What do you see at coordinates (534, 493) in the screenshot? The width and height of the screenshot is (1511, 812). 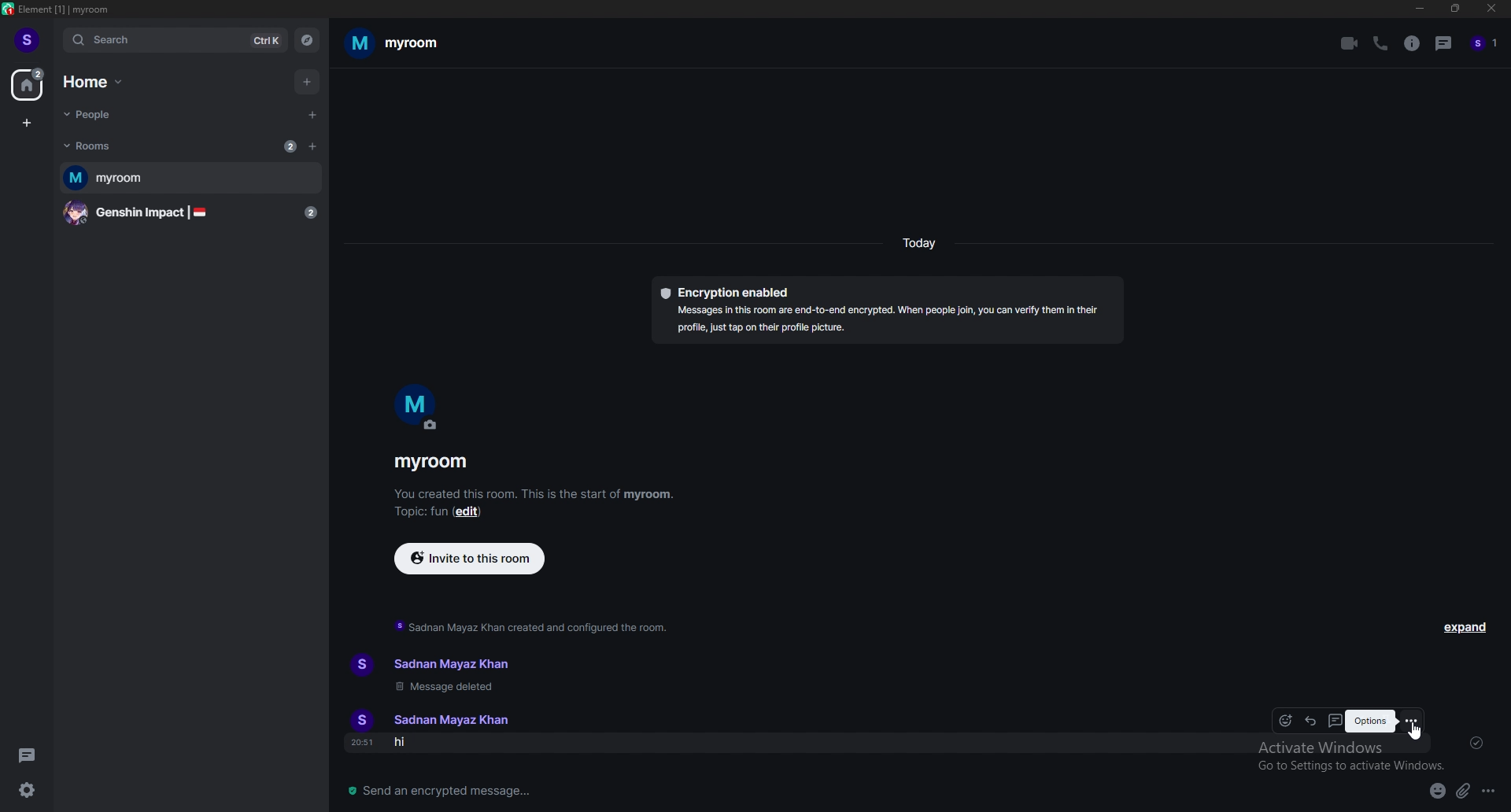 I see `you created this room. This is the start of myroom.` at bounding box center [534, 493].